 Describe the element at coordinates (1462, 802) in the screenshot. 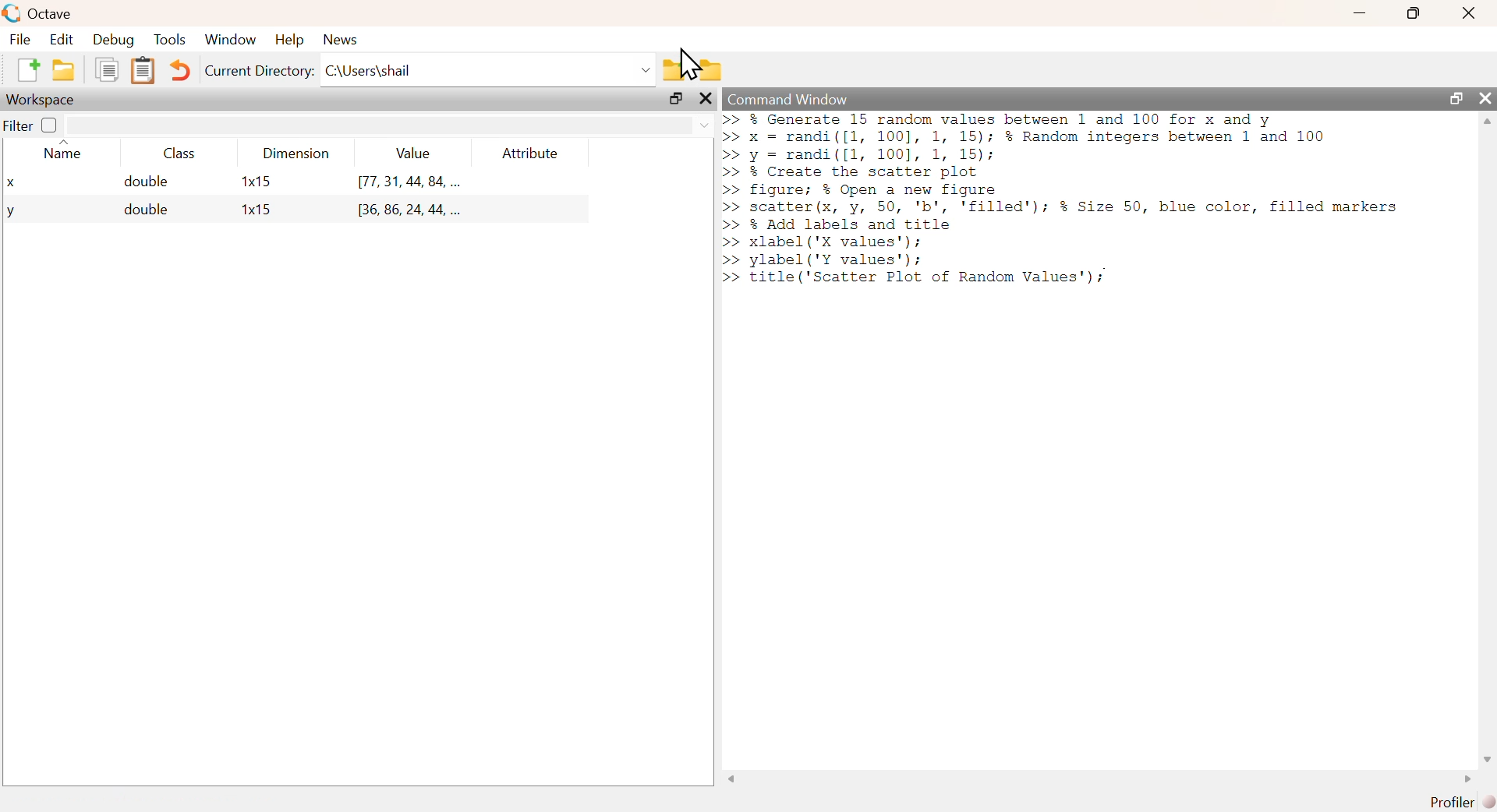

I see `Profiler` at that location.